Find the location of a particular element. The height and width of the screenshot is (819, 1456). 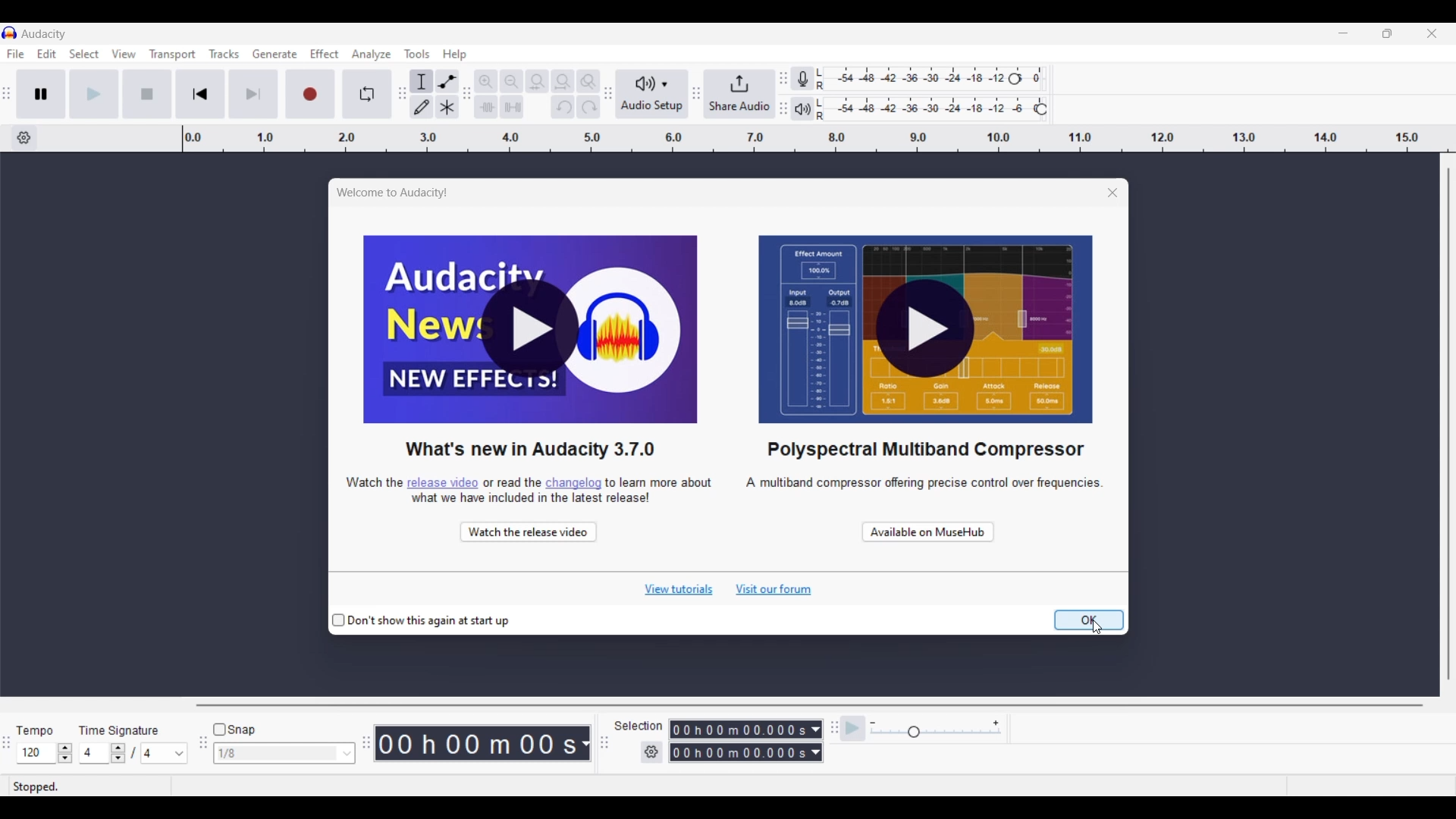

ok is located at coordinates (1090, 620).